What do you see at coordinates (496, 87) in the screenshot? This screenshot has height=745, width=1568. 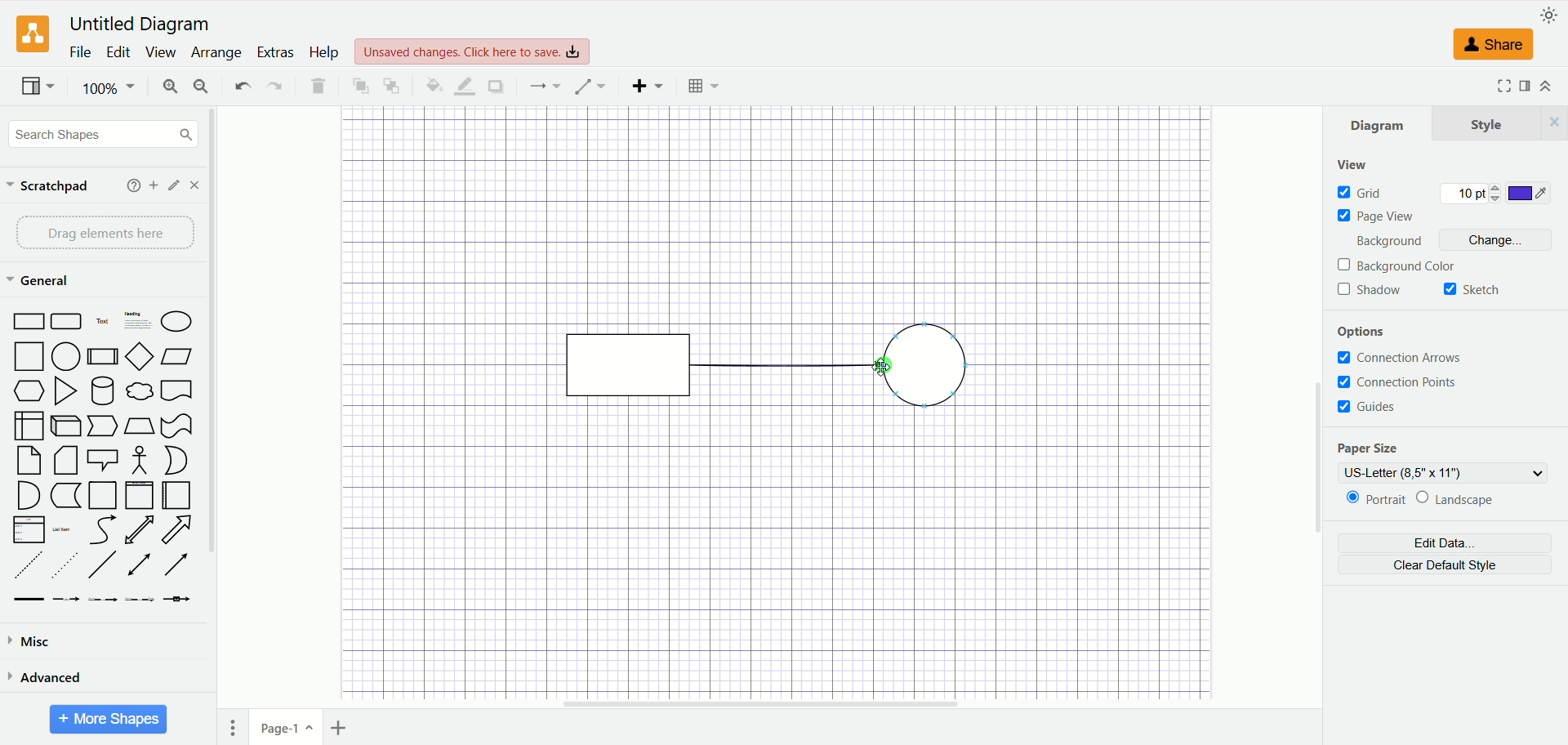 I see `shadow` at bounding box center [496, 87].